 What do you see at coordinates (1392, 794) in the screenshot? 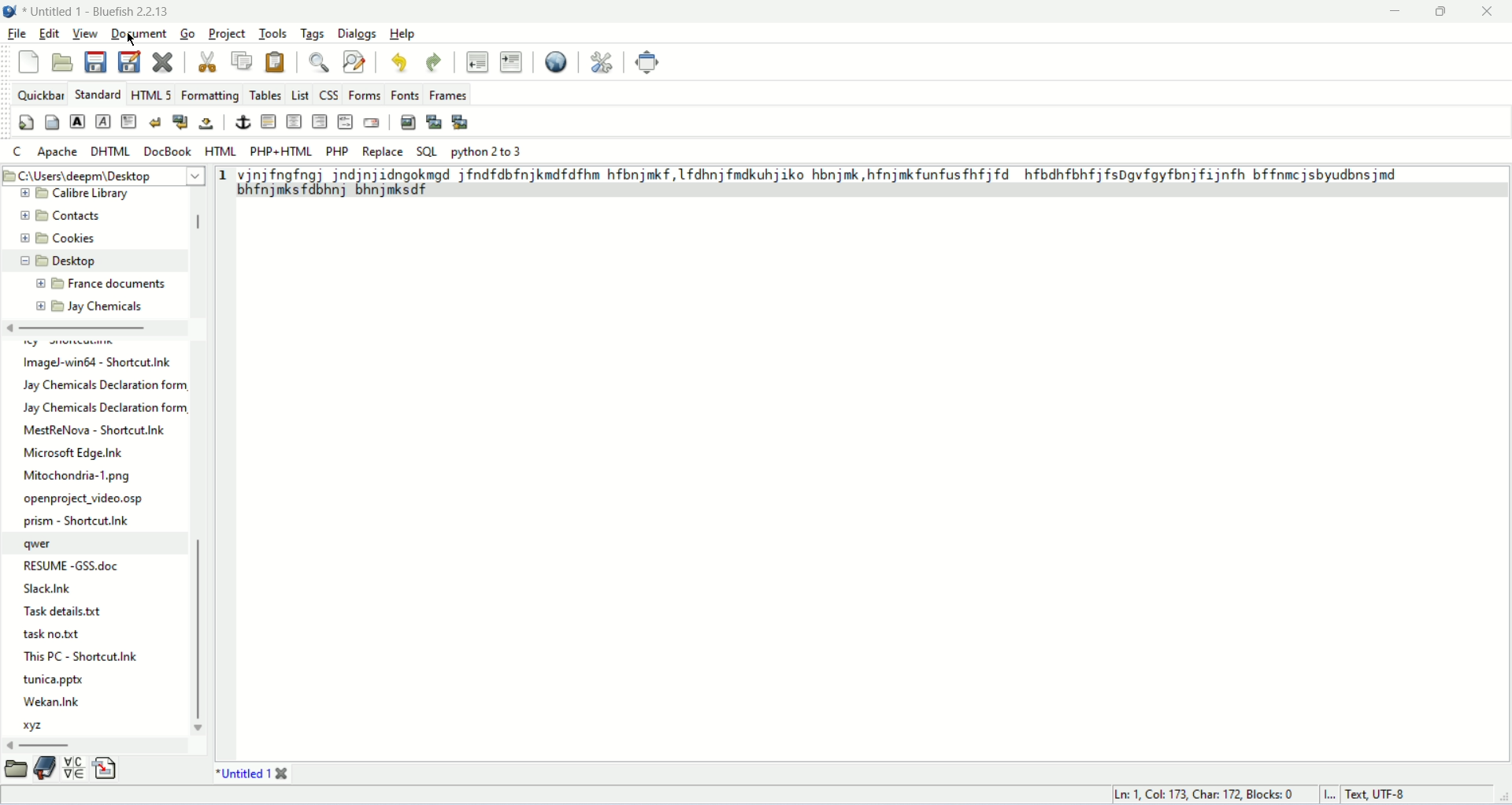
I see `text, UTF-8` at bounding box center [1392, 794].